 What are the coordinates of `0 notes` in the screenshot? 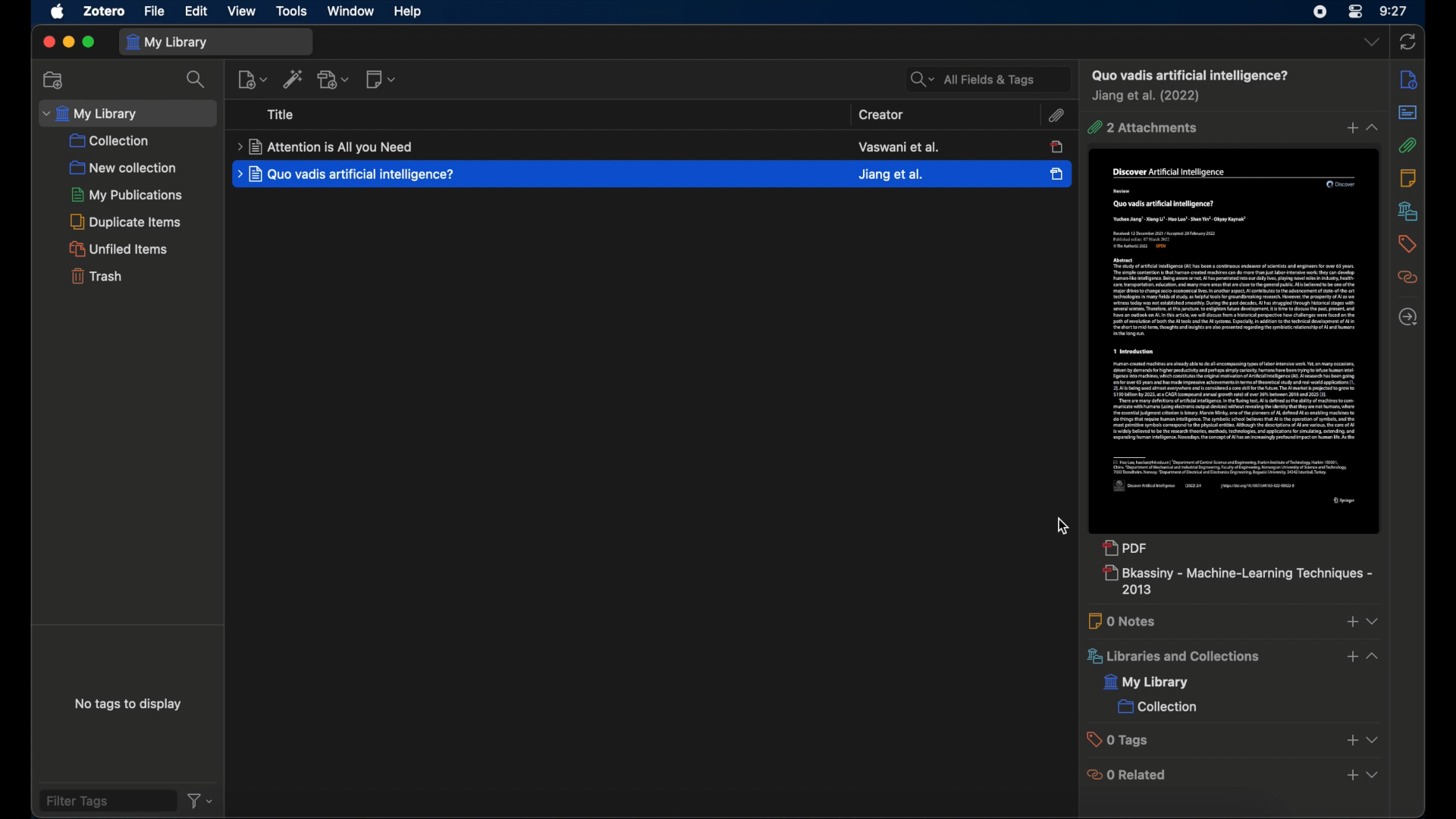 It's located at (1122, 620).